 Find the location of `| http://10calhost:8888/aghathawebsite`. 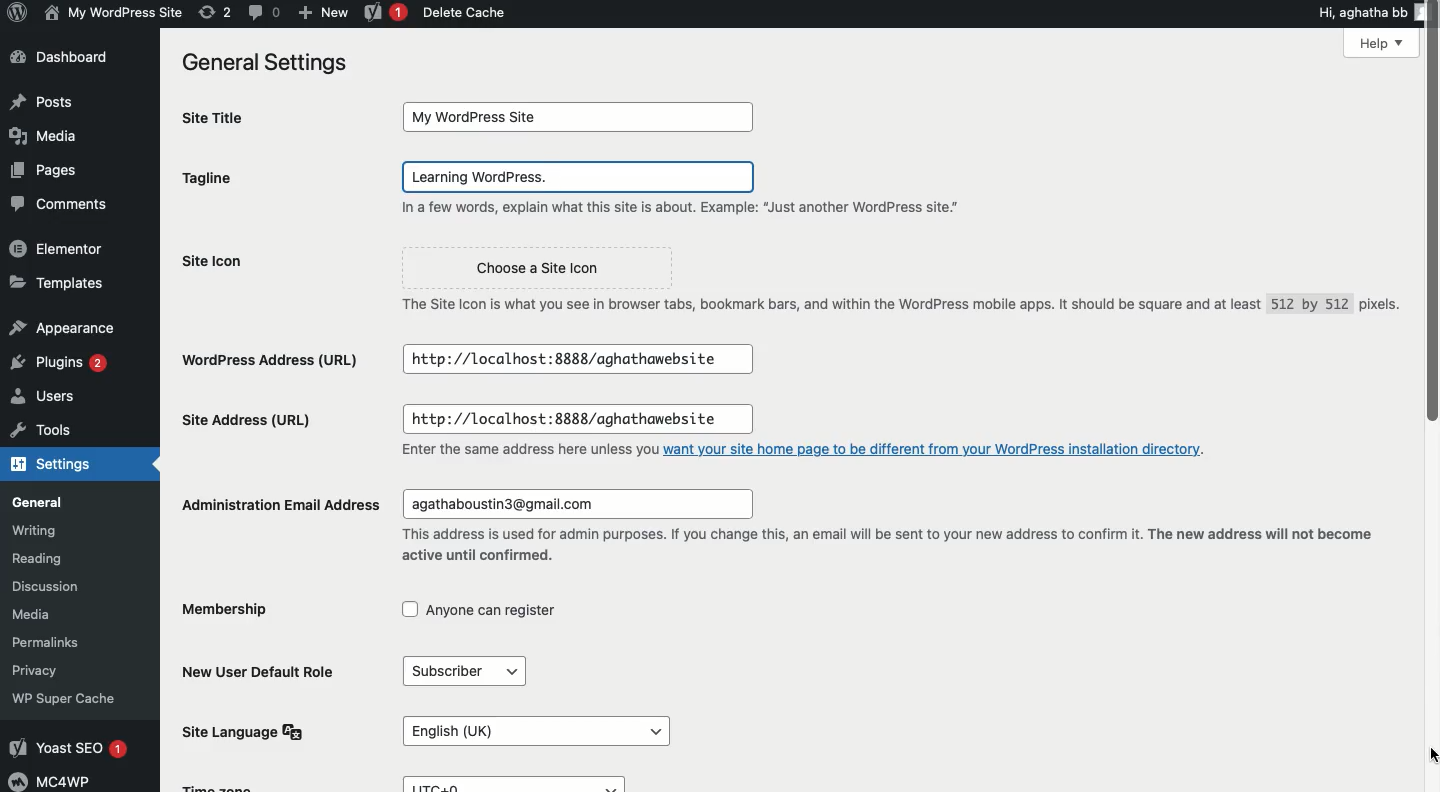

| http://10calhost:8888/aghathawebsite is located at coordinates (575, 357).